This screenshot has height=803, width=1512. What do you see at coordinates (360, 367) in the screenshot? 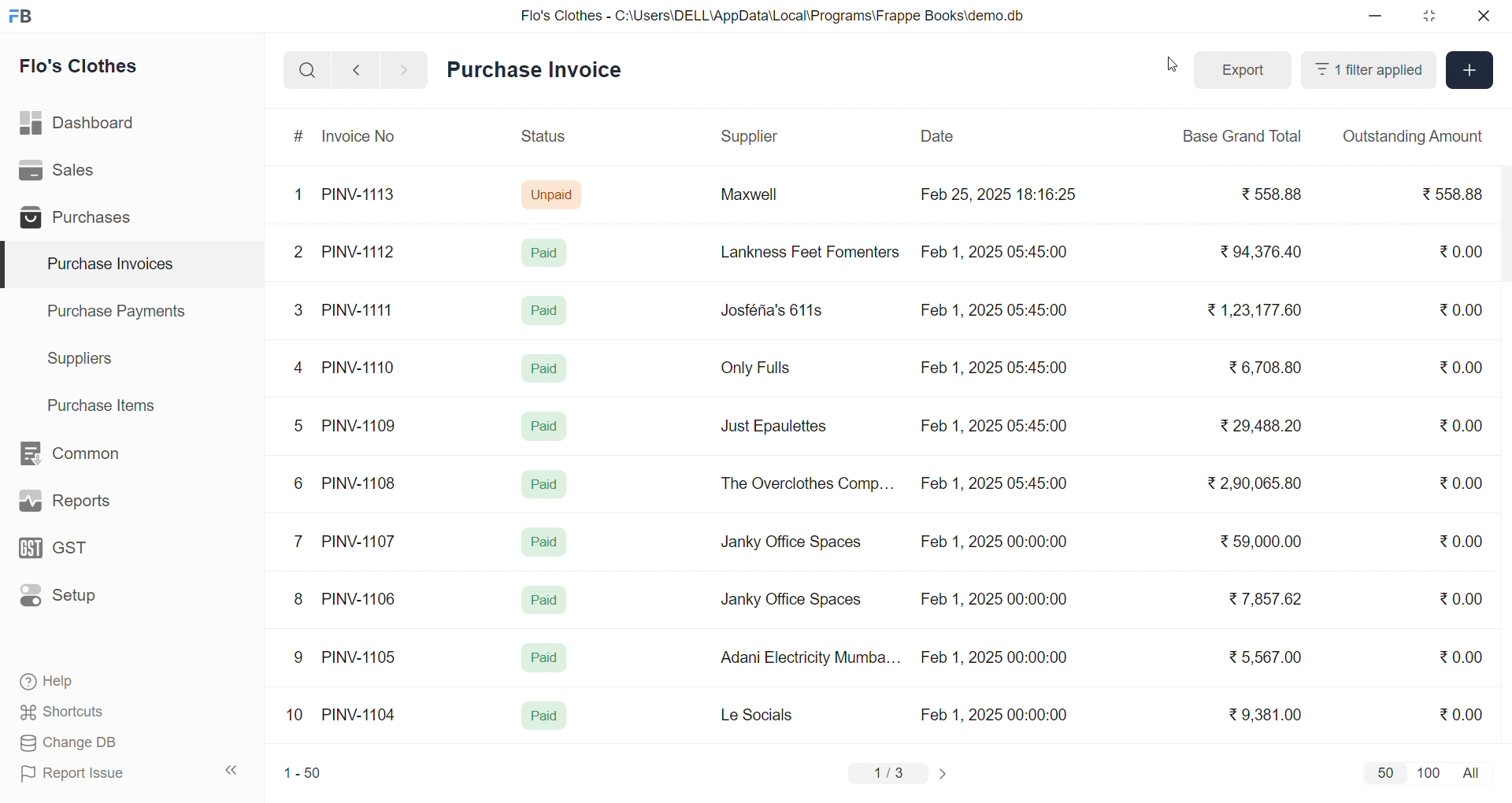
I see `PINV-1110` at bounding box center [360, 367].